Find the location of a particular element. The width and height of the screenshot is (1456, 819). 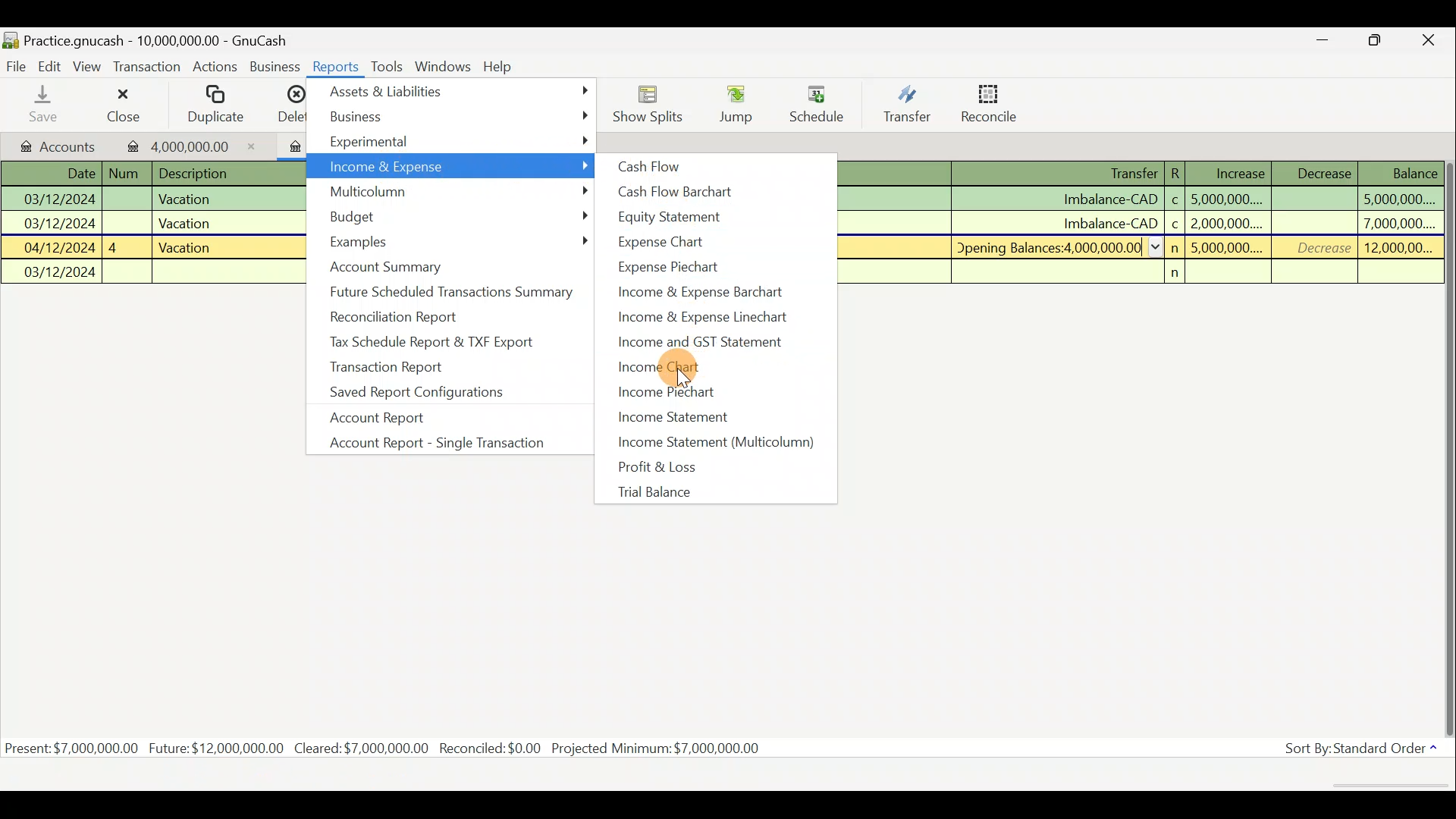

Account report is located at coordinates (381, 419).